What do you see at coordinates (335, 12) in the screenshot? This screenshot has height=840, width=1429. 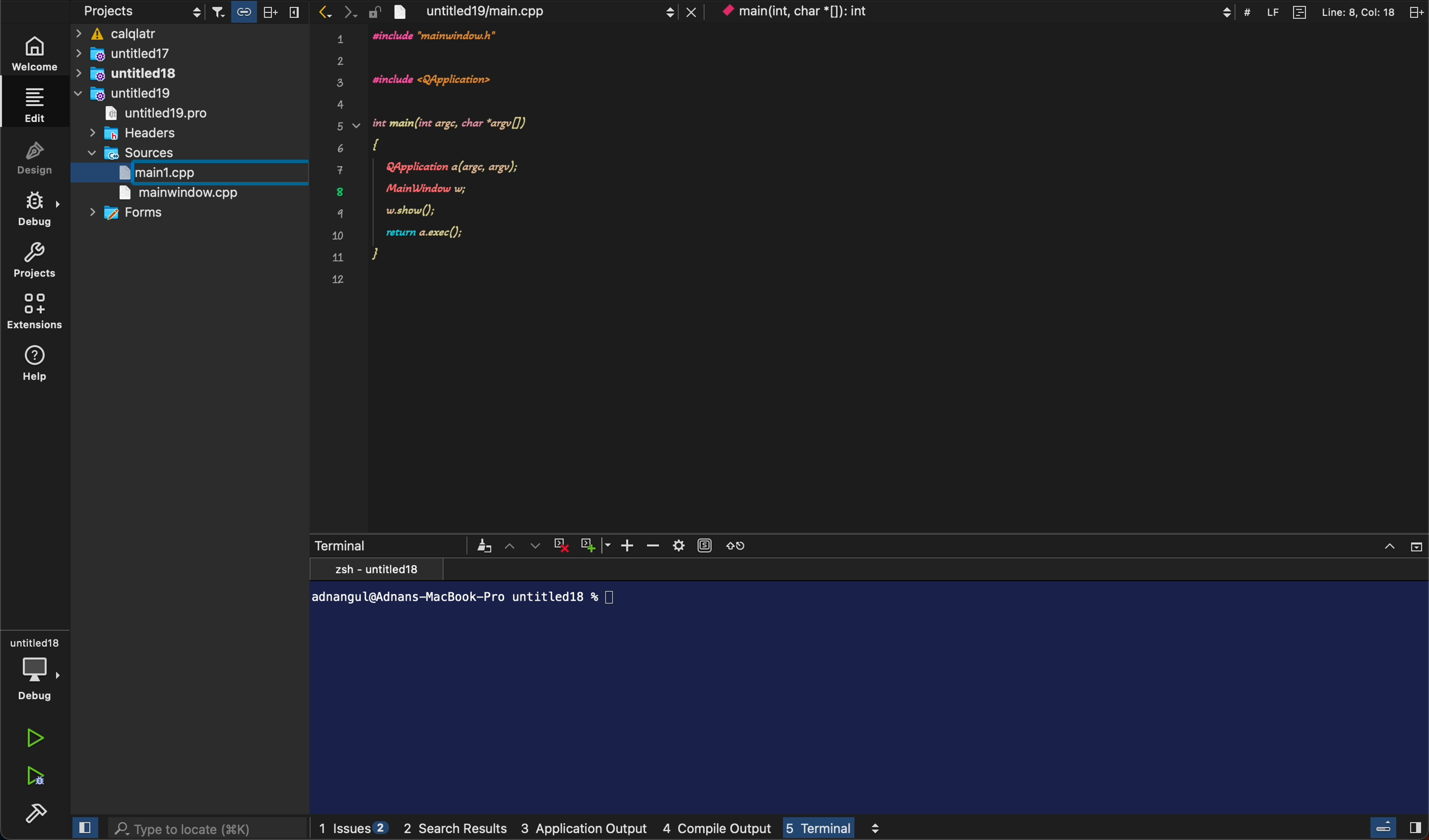 I see `arrows` at bounding box center [335, 12].